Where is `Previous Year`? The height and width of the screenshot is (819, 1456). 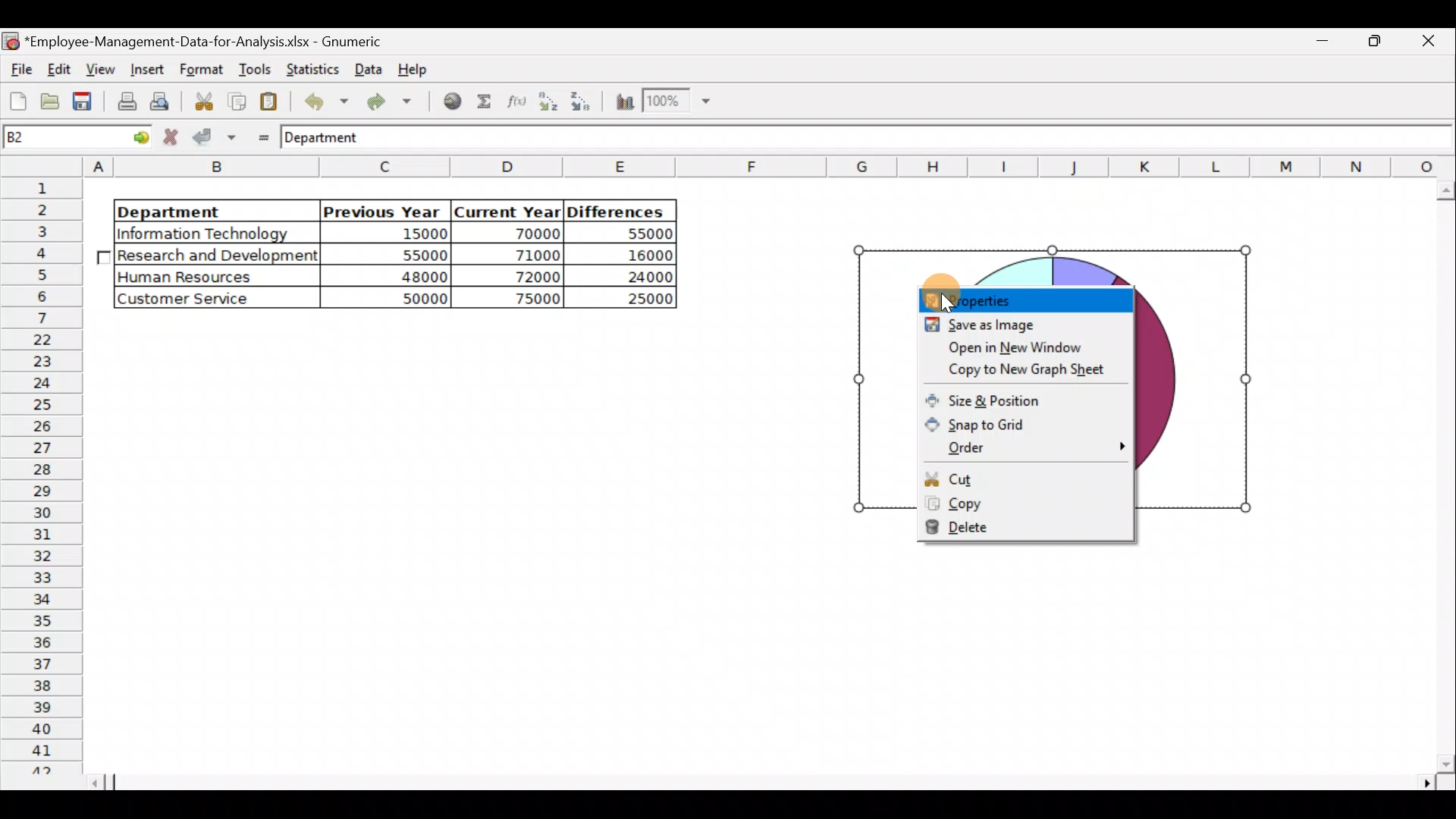 Previous Year is located at coordinates (382, 209).